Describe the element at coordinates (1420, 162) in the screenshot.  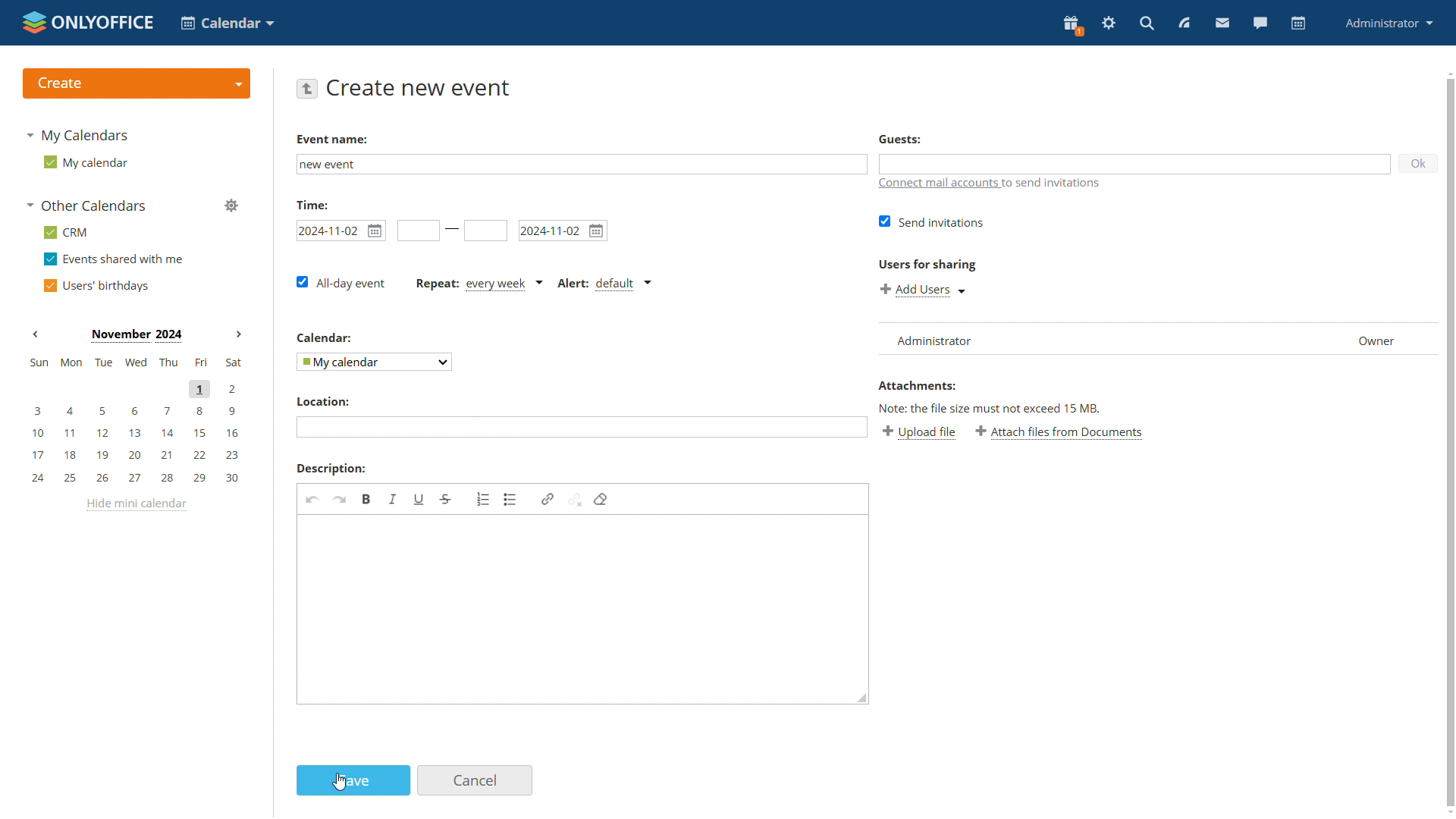
I see `ok` at that location.